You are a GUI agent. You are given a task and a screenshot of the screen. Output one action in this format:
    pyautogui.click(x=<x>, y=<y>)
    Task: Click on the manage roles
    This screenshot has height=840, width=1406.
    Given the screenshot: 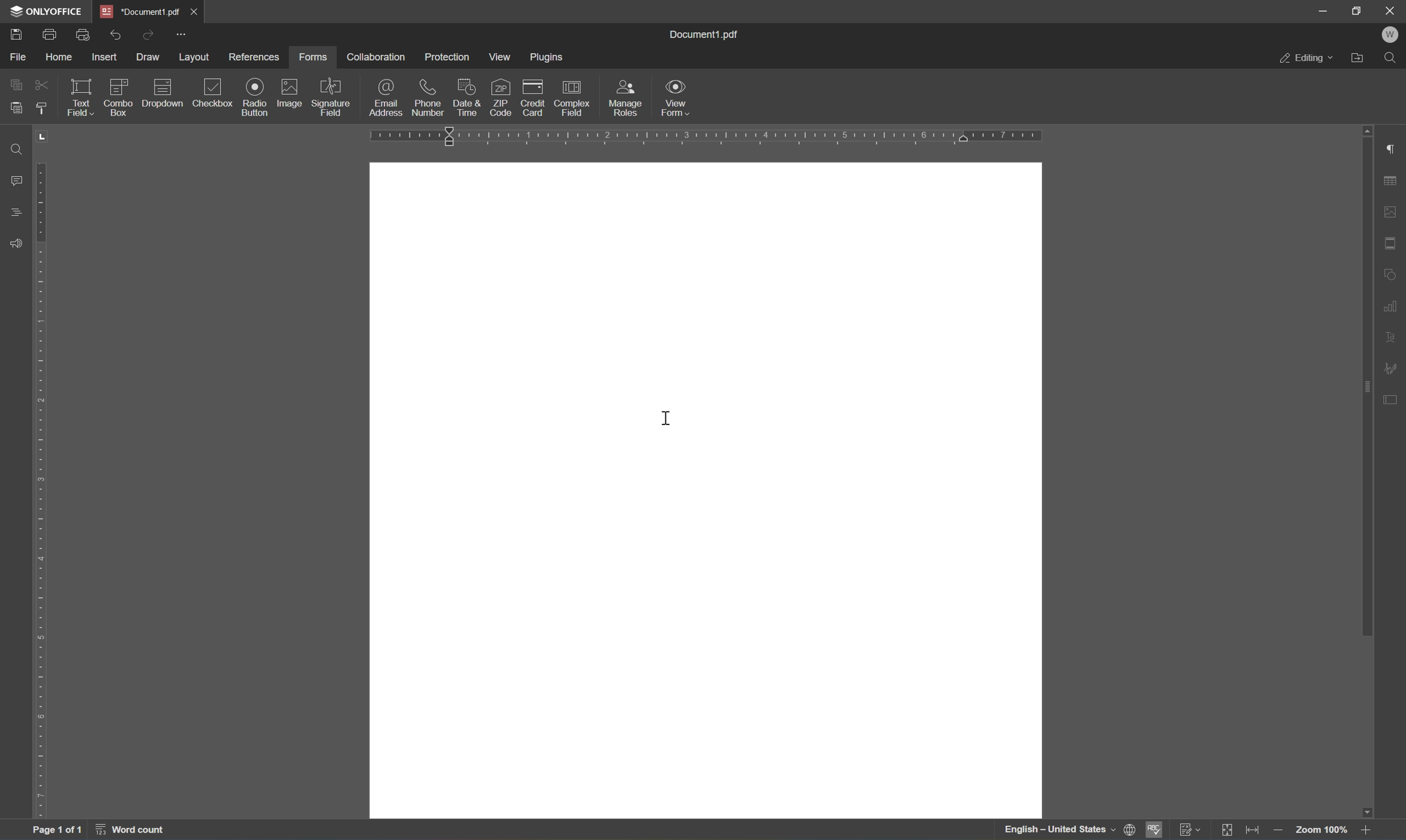 What is the action you would take?
    pyautogui.click(x=627, y=97)
    